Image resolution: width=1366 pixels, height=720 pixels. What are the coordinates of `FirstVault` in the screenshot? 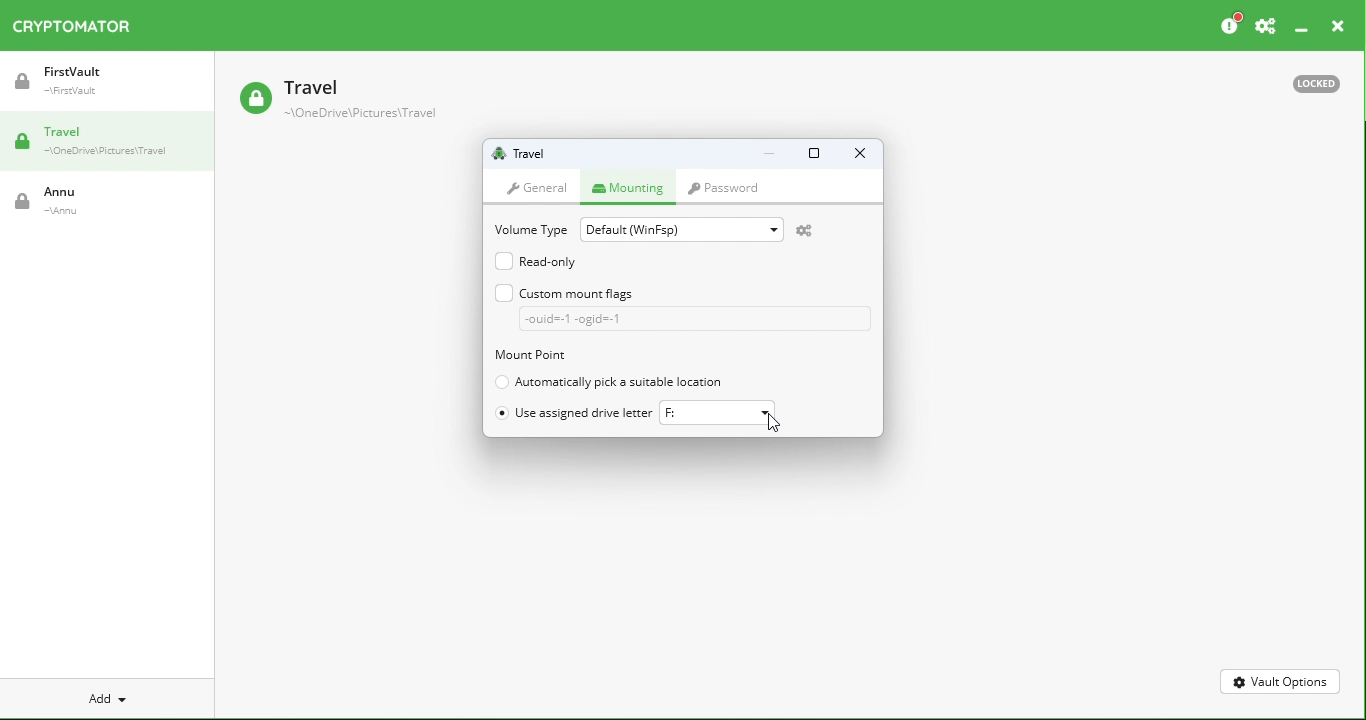 It's located at (110, 88).